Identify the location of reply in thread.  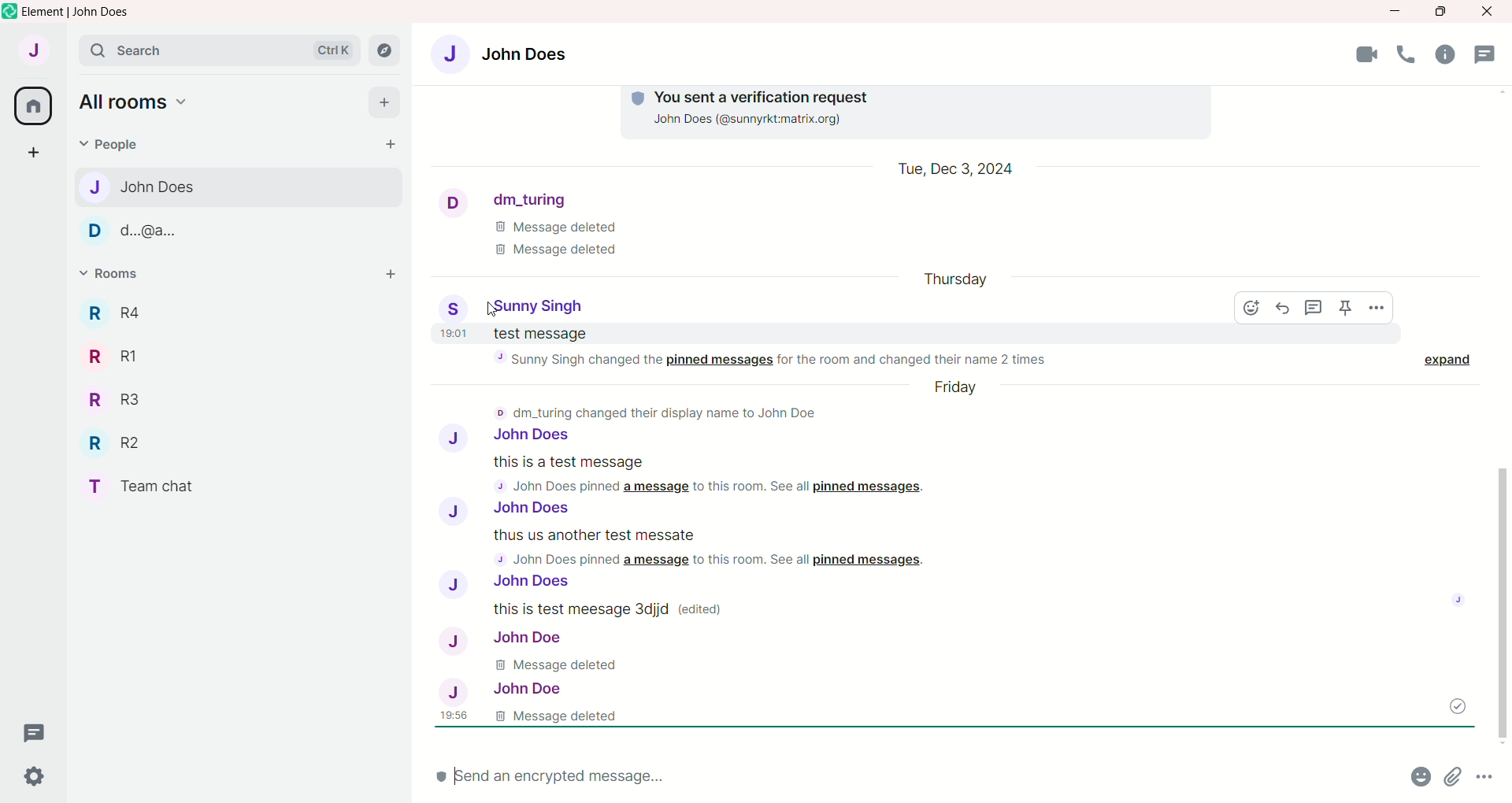
(1316, 308).